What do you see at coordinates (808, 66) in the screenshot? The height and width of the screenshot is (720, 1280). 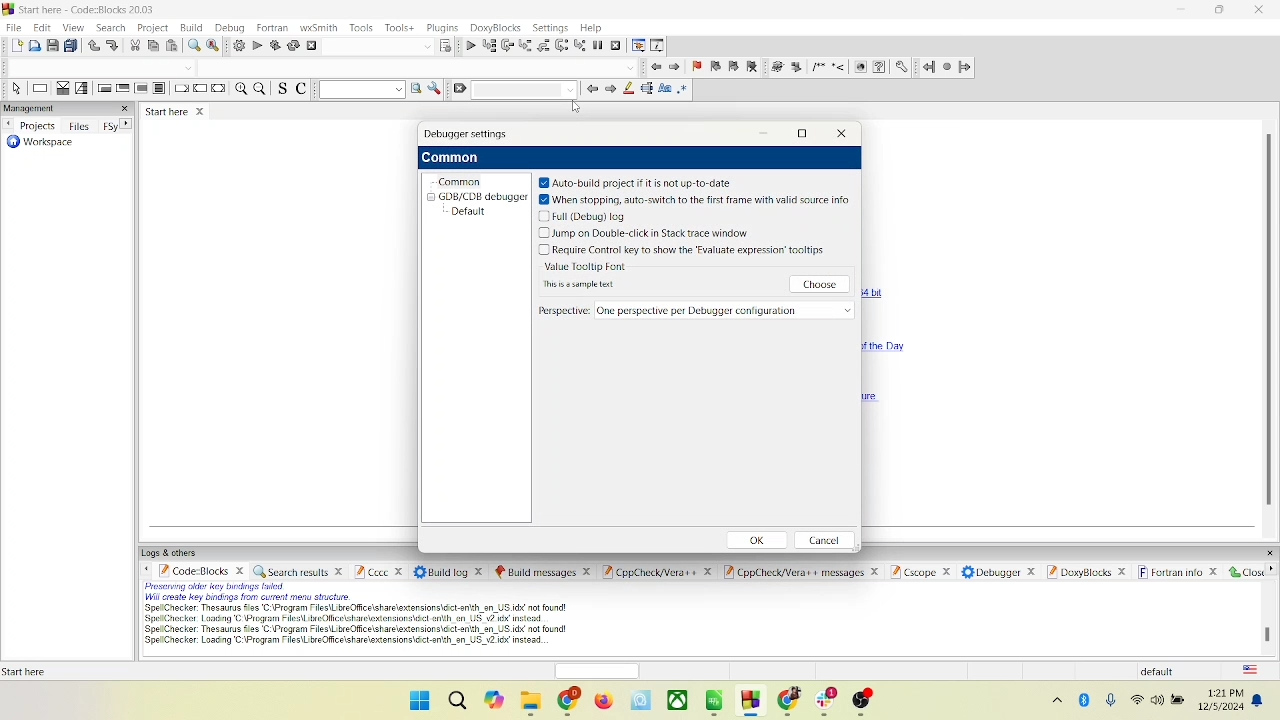 I see `symbols` at bounding box center [808, 66].